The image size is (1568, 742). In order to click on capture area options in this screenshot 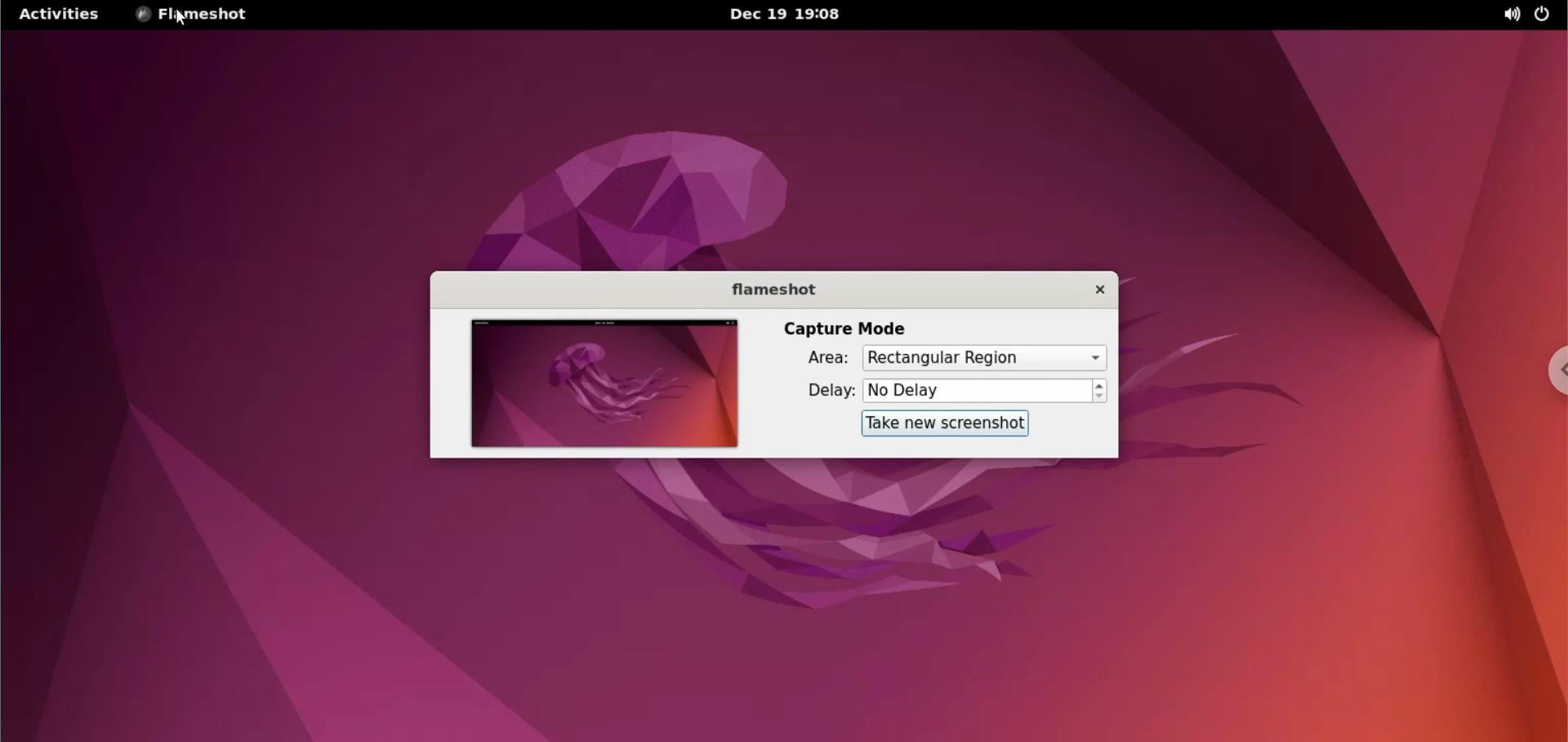, I will do `click(983, 358)`.